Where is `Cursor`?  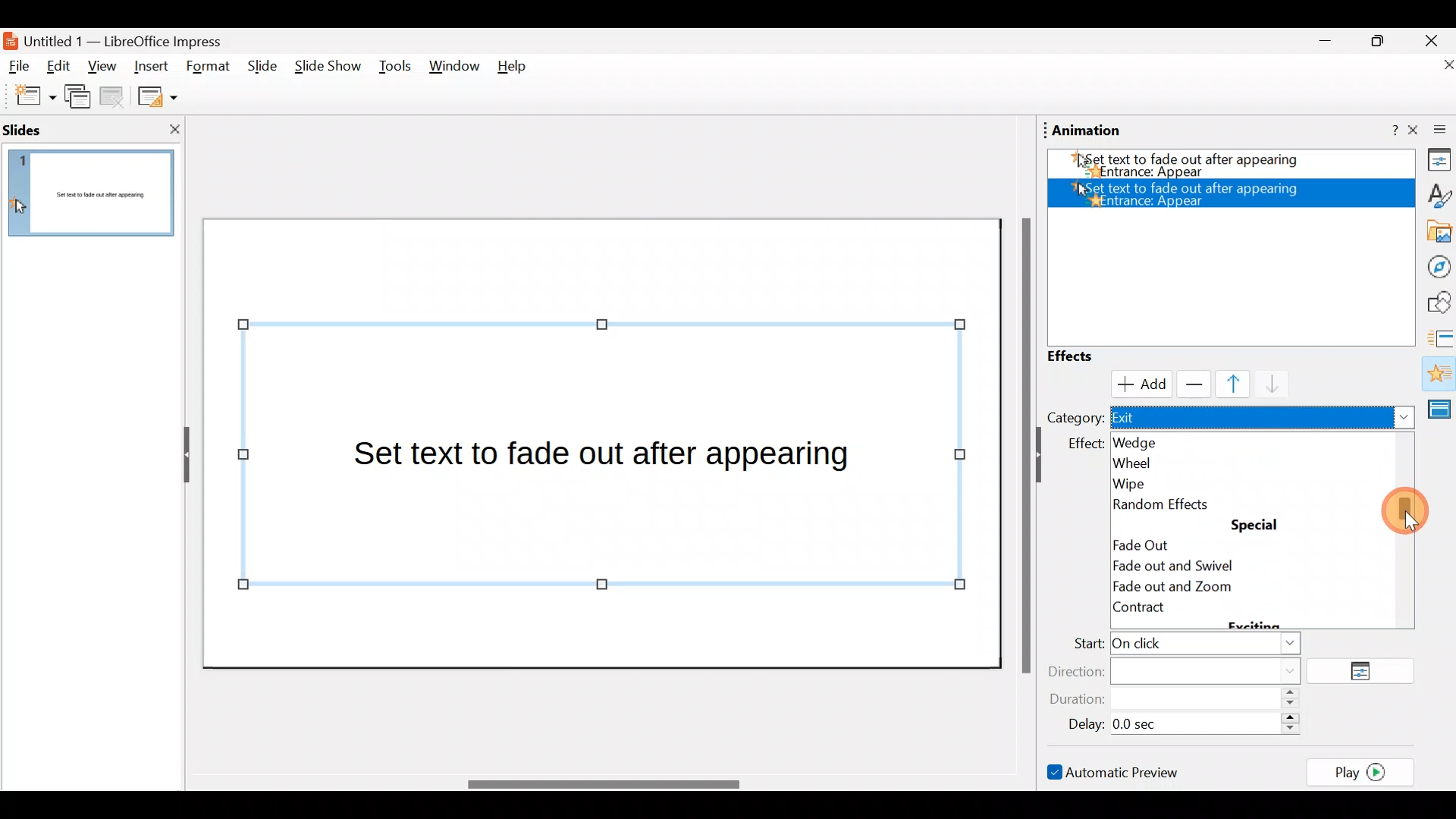 Cursor is located at coordinates (1137, 382).